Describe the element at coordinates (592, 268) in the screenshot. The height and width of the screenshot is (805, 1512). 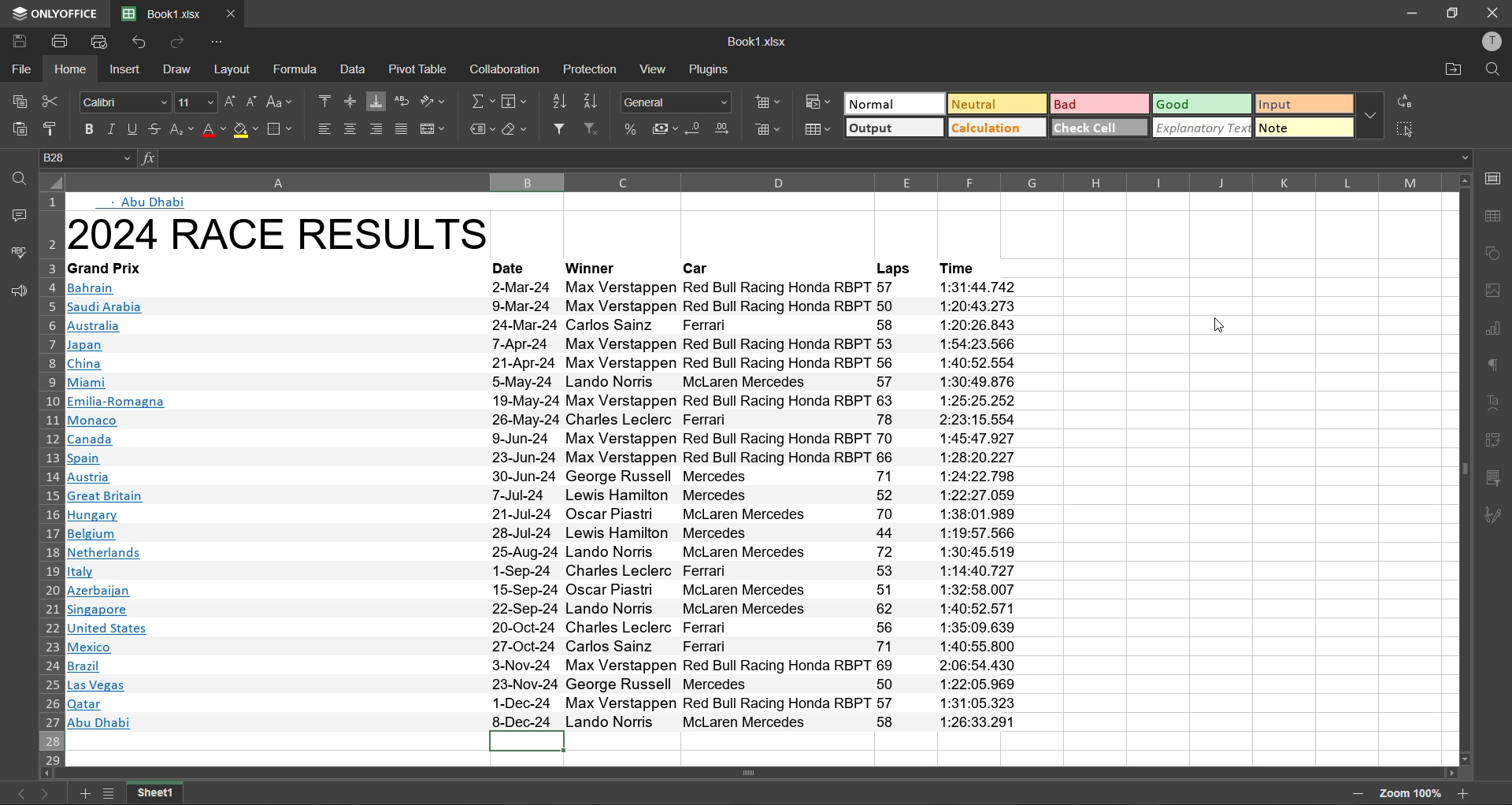
I see `Winner` at that location.